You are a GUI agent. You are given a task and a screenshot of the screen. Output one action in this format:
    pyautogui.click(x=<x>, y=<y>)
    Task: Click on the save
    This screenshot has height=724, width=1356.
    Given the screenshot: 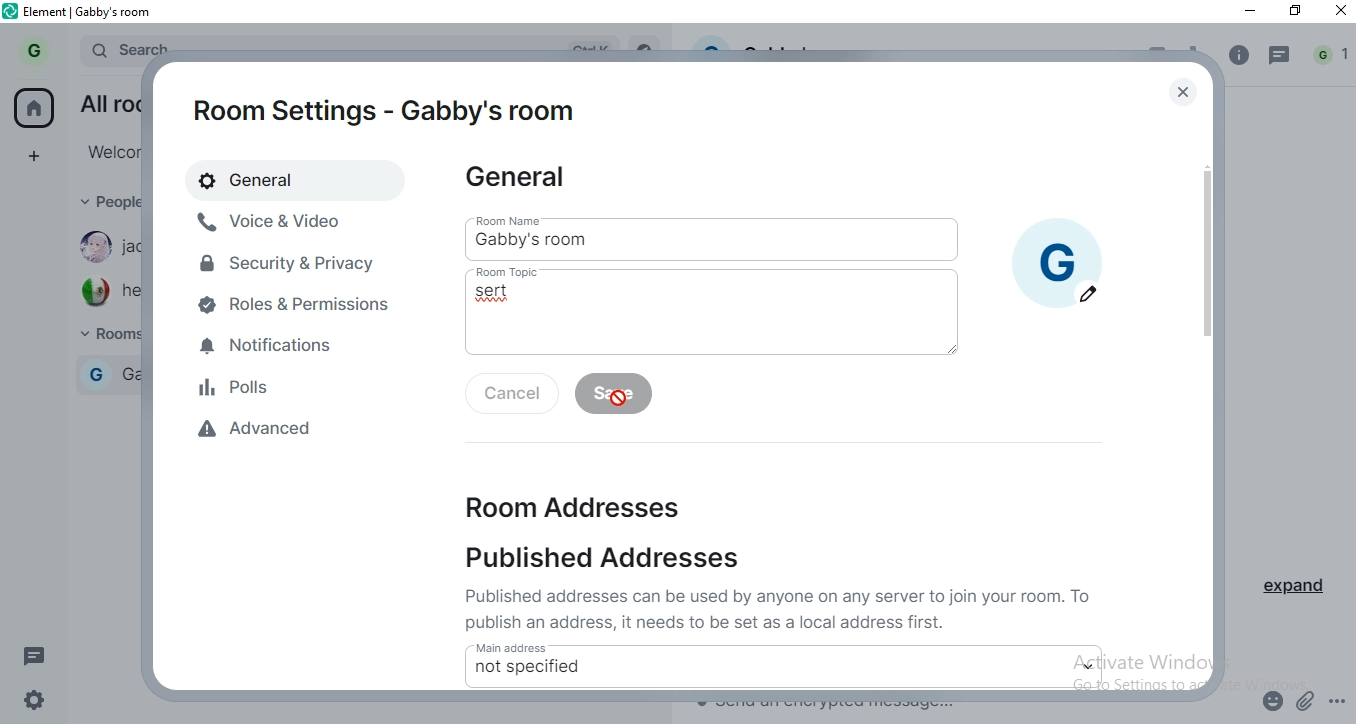 What is the action you would take?
    pyautogui.click(x=616, y=394)
    